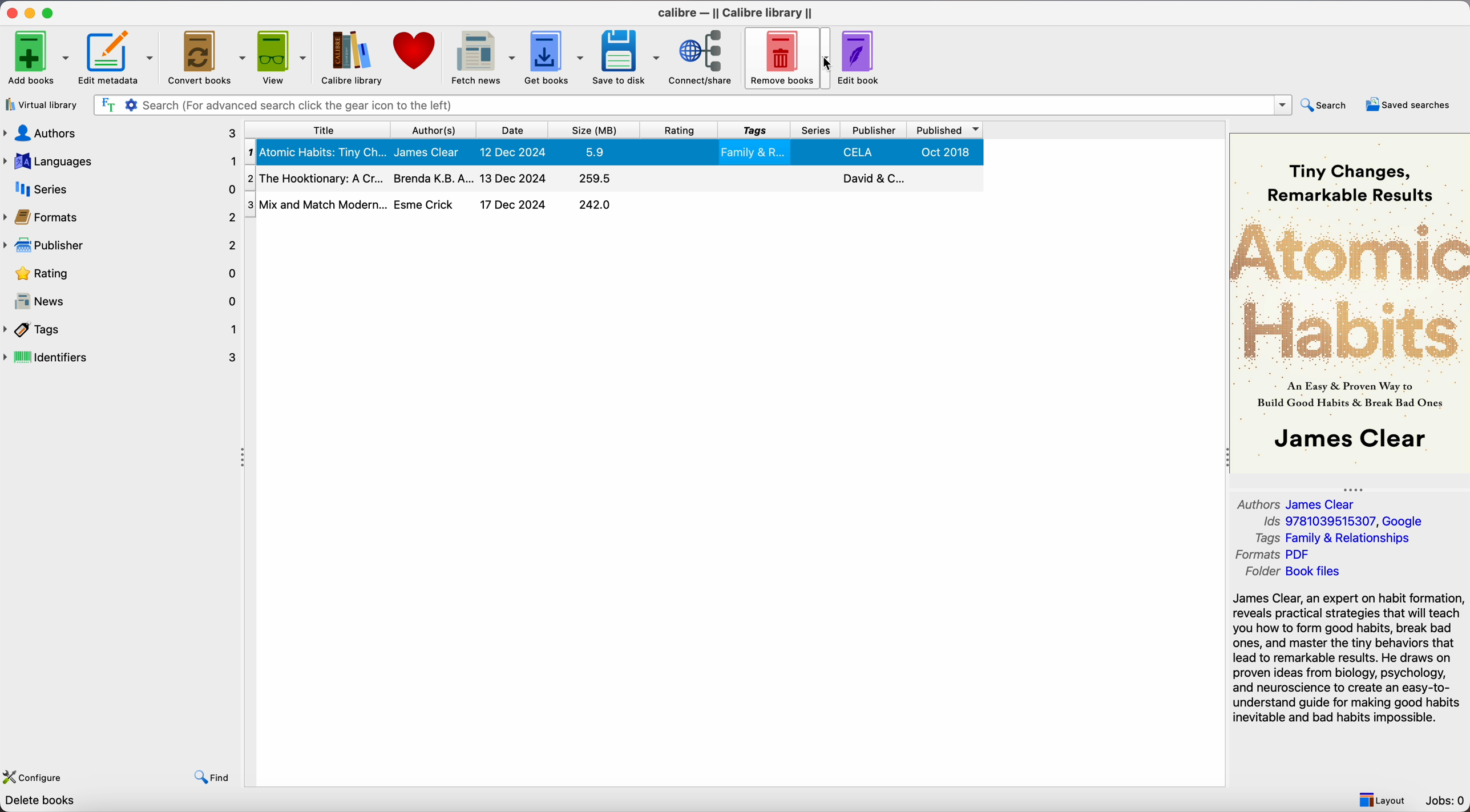 The width and height of the screenshot is (1470, 812). What do you see at coordinates (1294, 572) in the screenshot?
I see `Folder Book files` at bounding box center [1294, 572].